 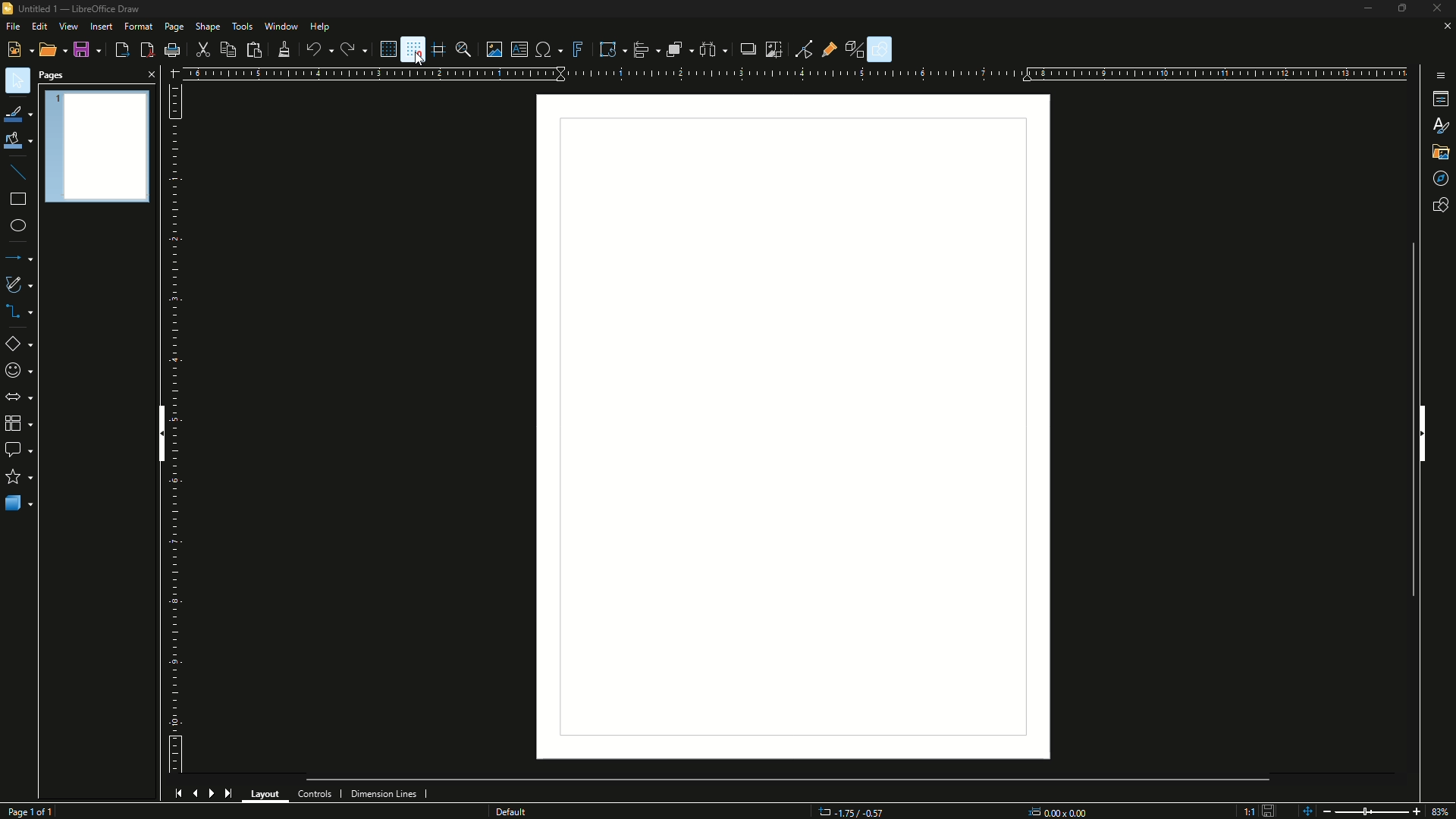 I want to click on Formate, so click(x=138, y=26).